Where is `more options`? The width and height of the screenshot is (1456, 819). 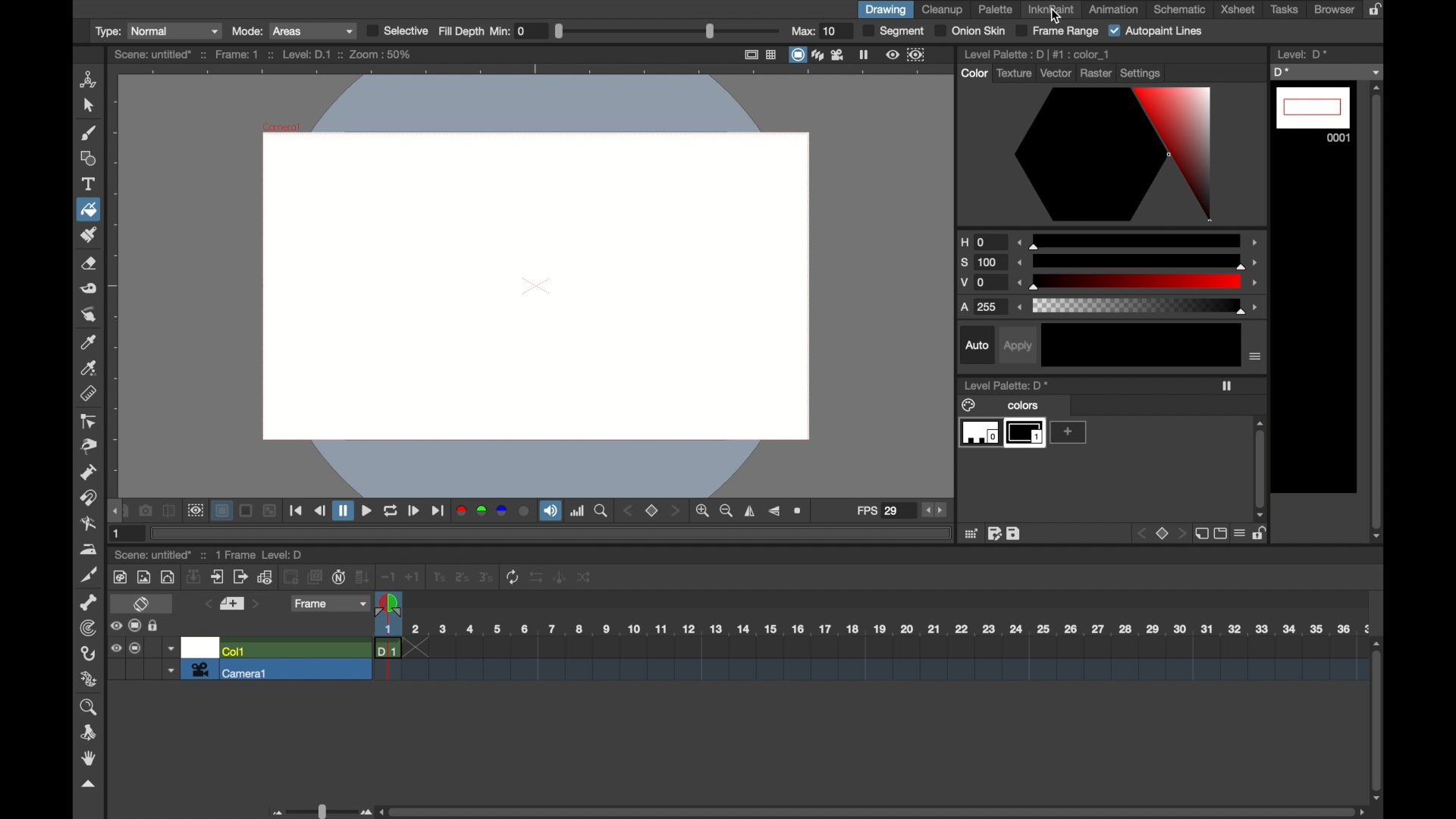
more options is located at coordinates (1255, 356).